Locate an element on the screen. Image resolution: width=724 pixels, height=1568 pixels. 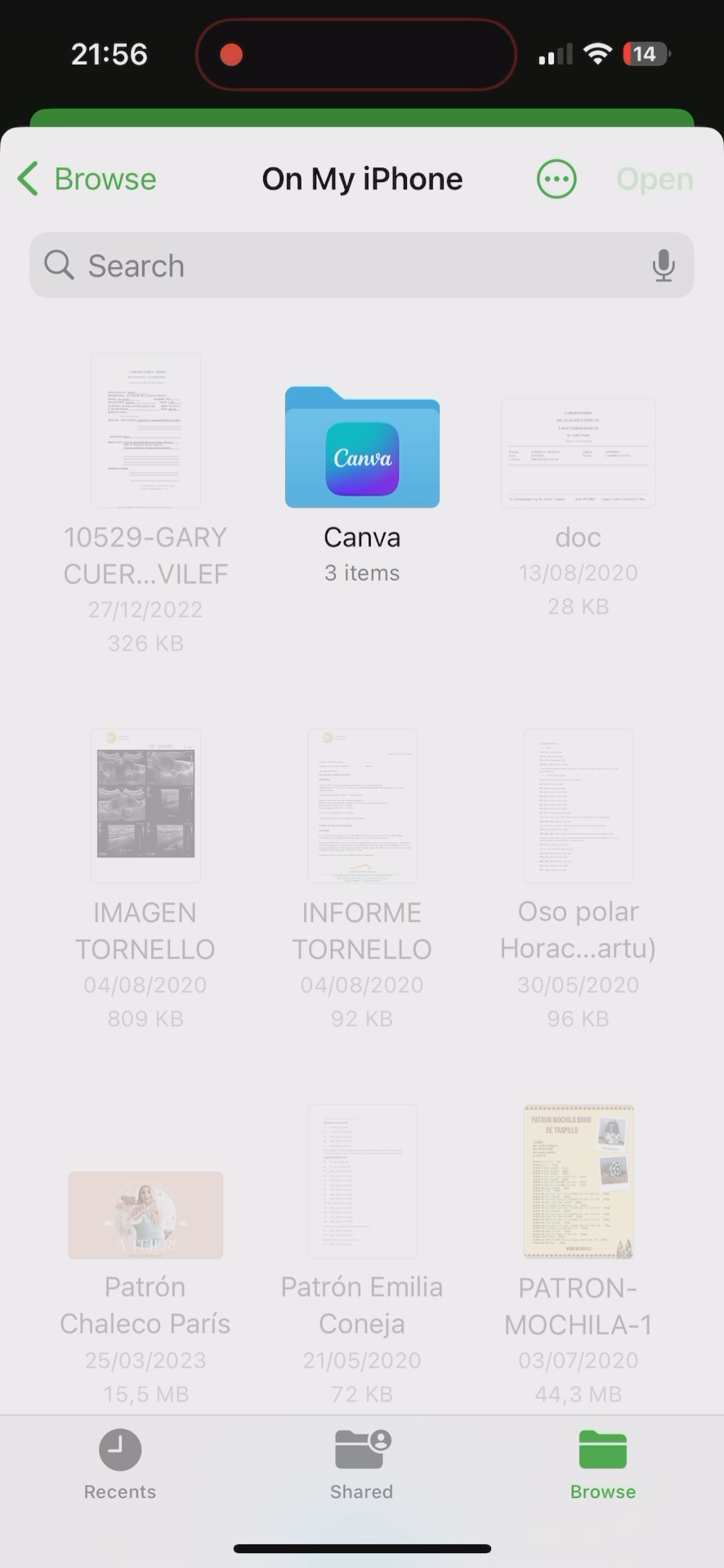
 is located at coordinates (578, 510).